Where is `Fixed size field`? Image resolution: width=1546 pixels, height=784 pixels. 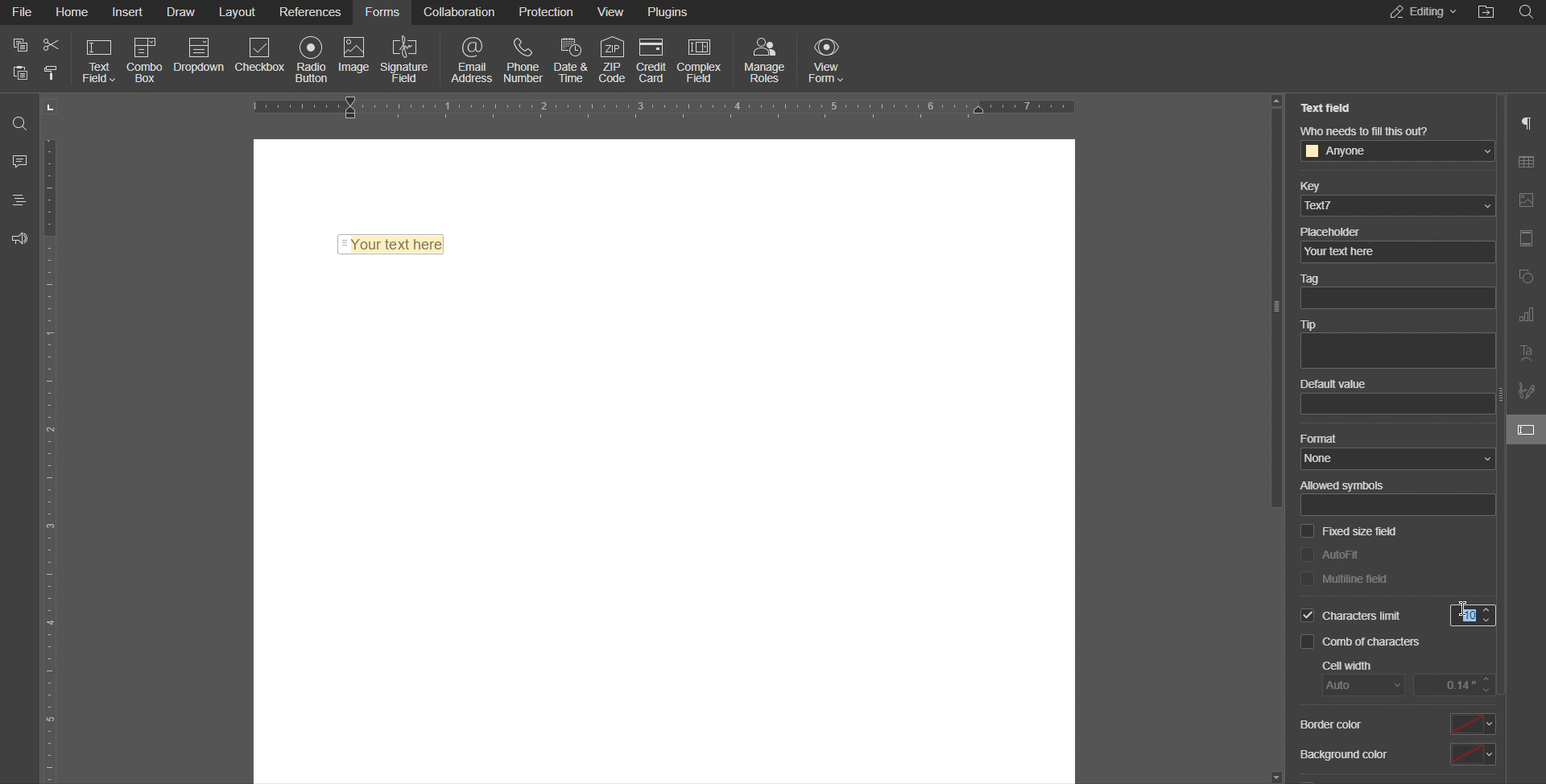 Fixed size field is located at coordinates (1348, 532).